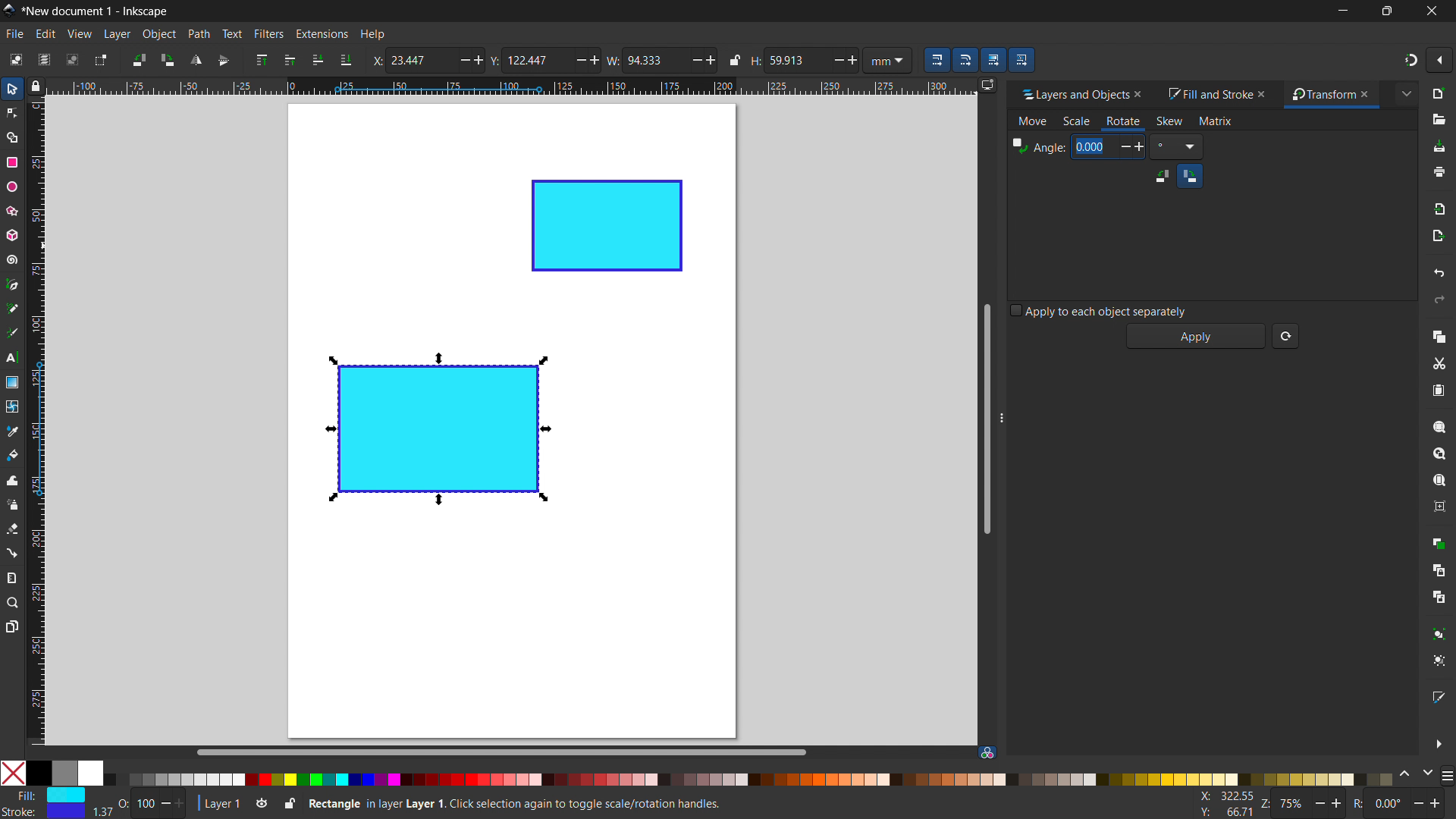 This screenshot has height=819, width=1456. Describe the element at coordinates (987, 85) in the screenshot. I see `displayy options` at that location.